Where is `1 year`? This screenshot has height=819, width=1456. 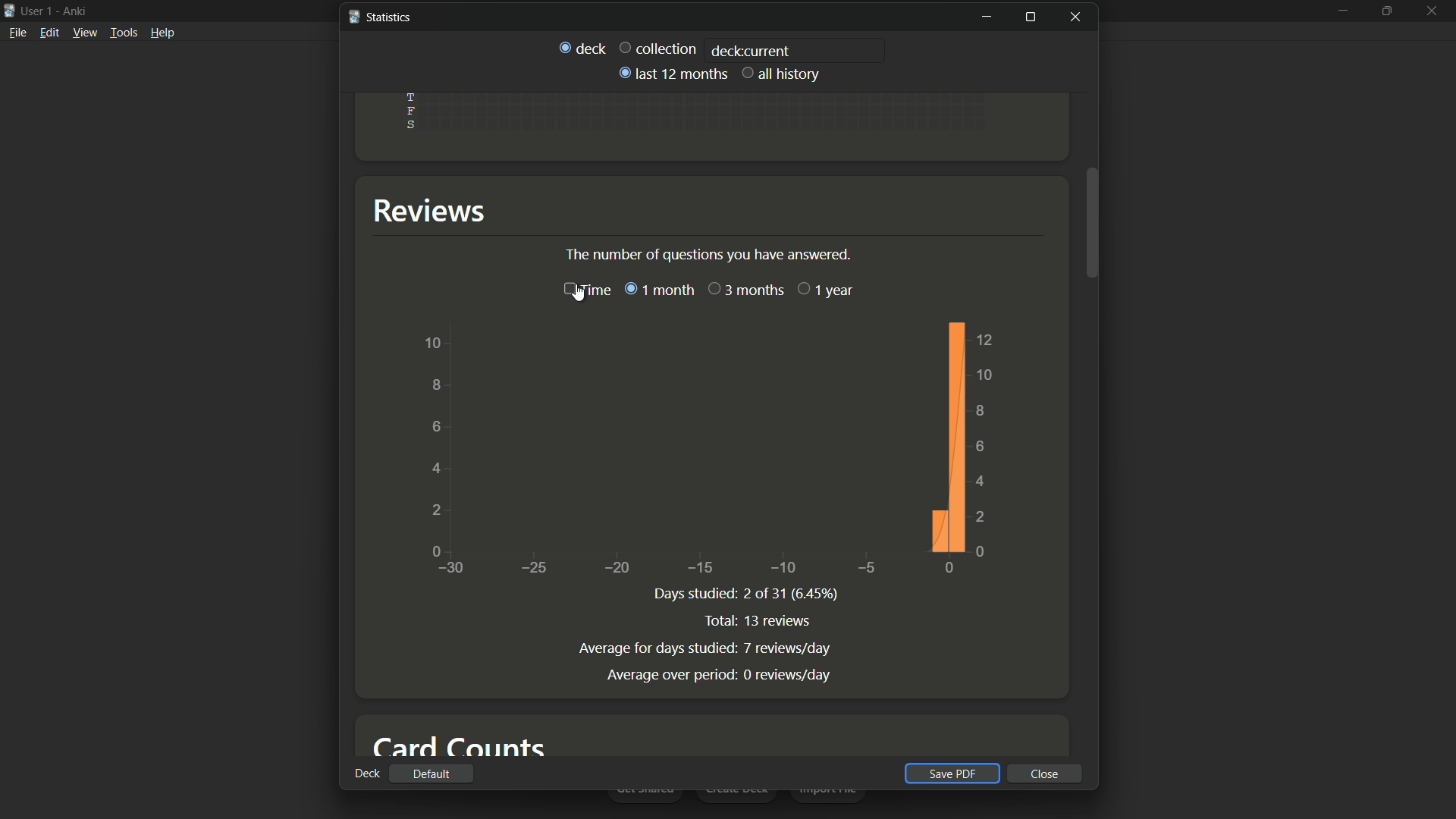 1 year is located at coordinates (826, 290).